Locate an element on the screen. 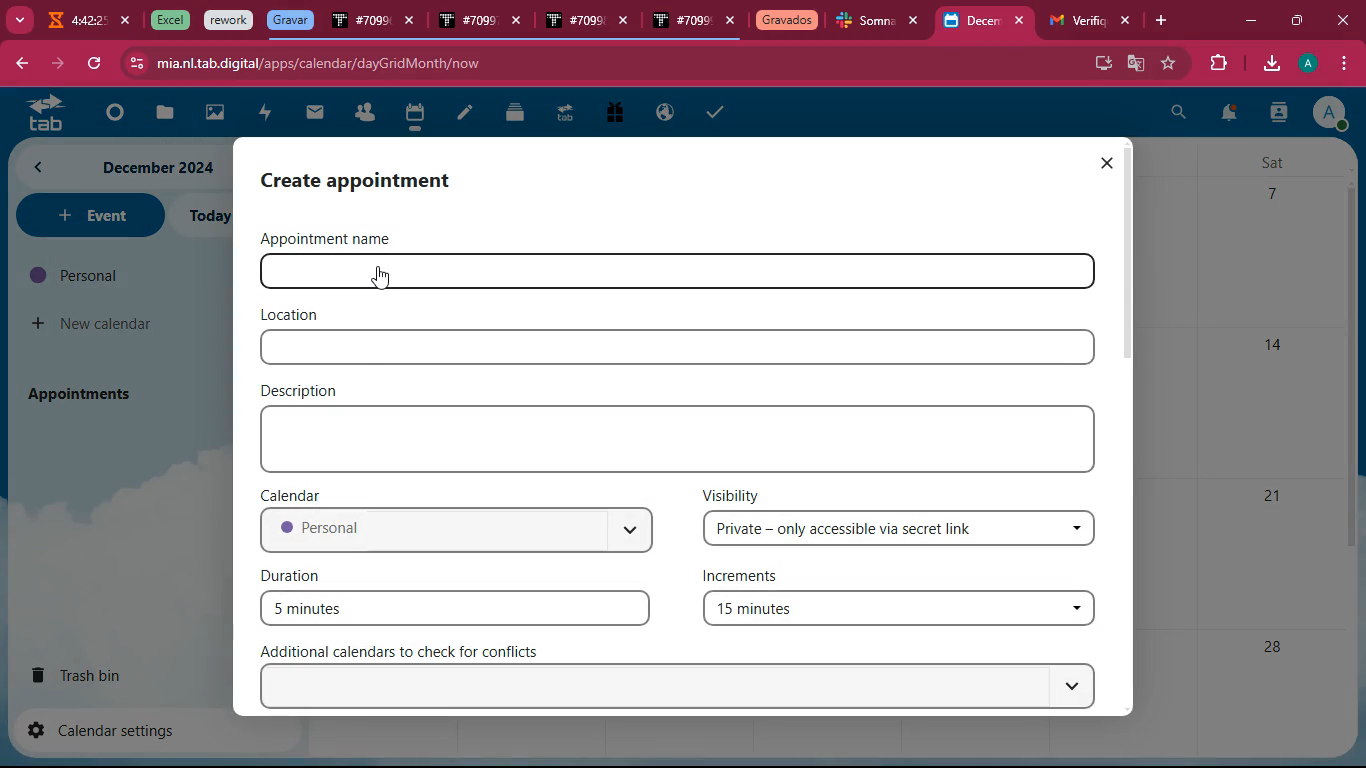  add tab is located at coordinates (1165, 21).